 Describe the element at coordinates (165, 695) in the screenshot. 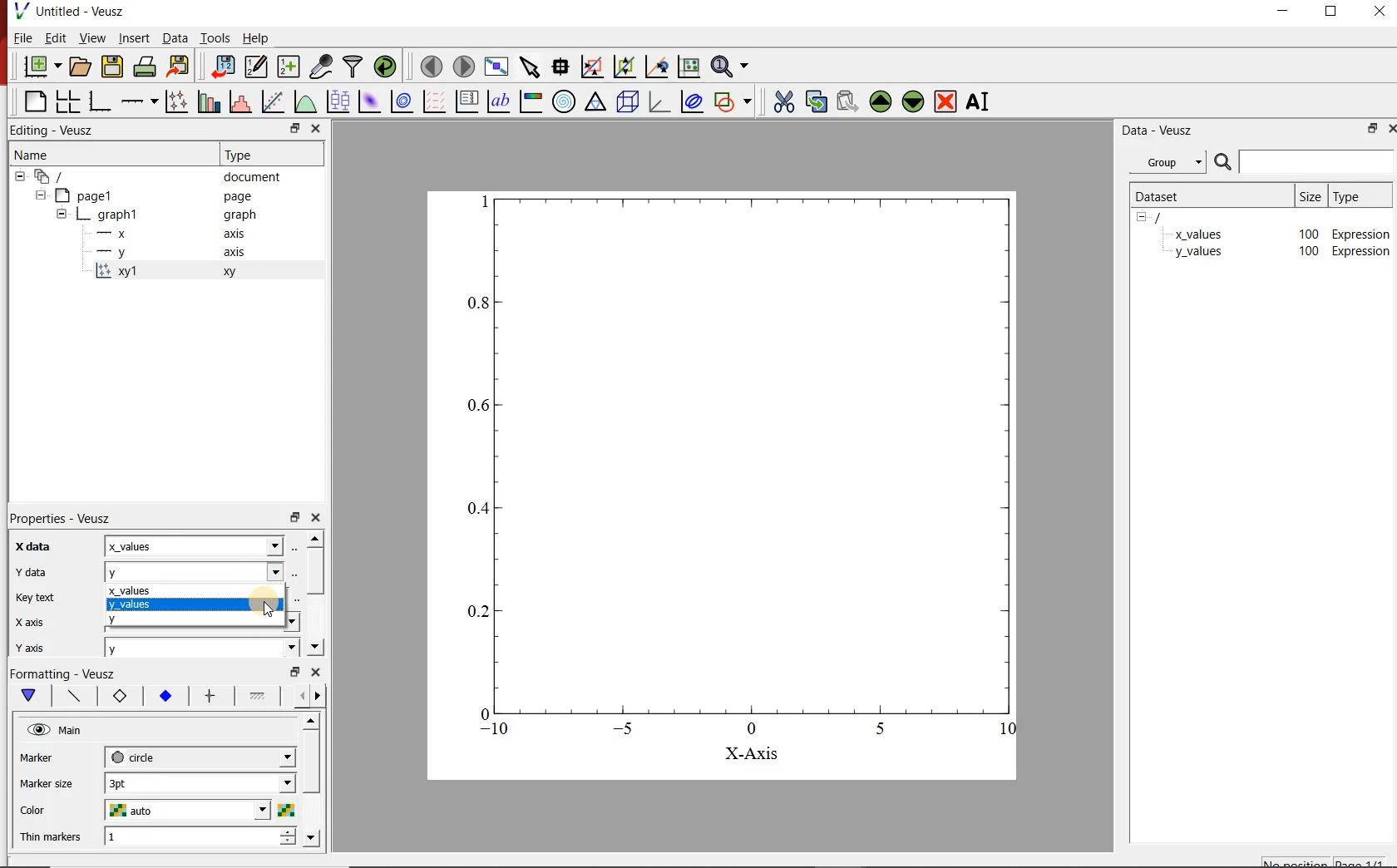

I see `marker fill` at that location.